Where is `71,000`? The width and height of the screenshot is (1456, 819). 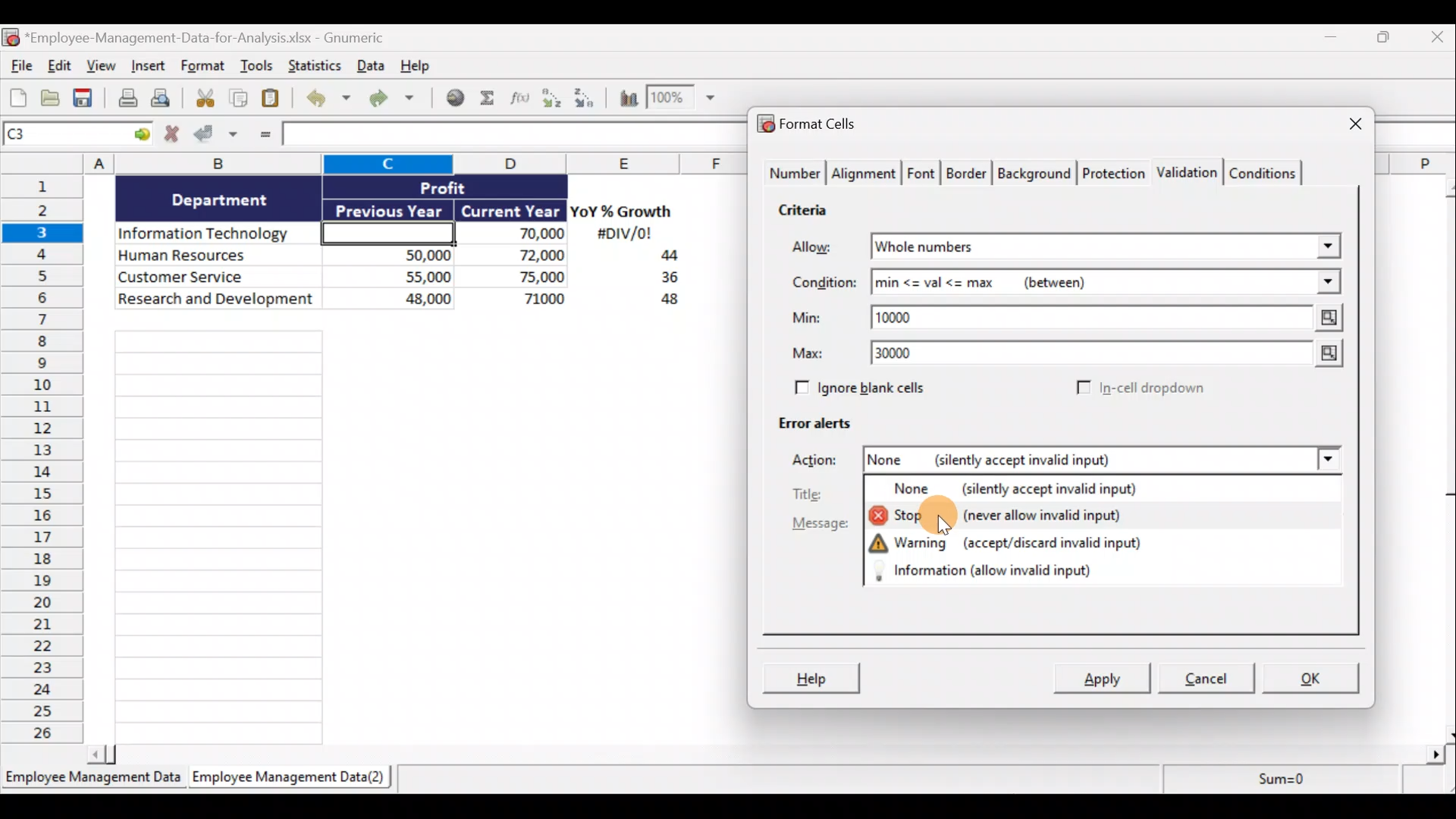
71,000 is located at coordinates (522, 300).